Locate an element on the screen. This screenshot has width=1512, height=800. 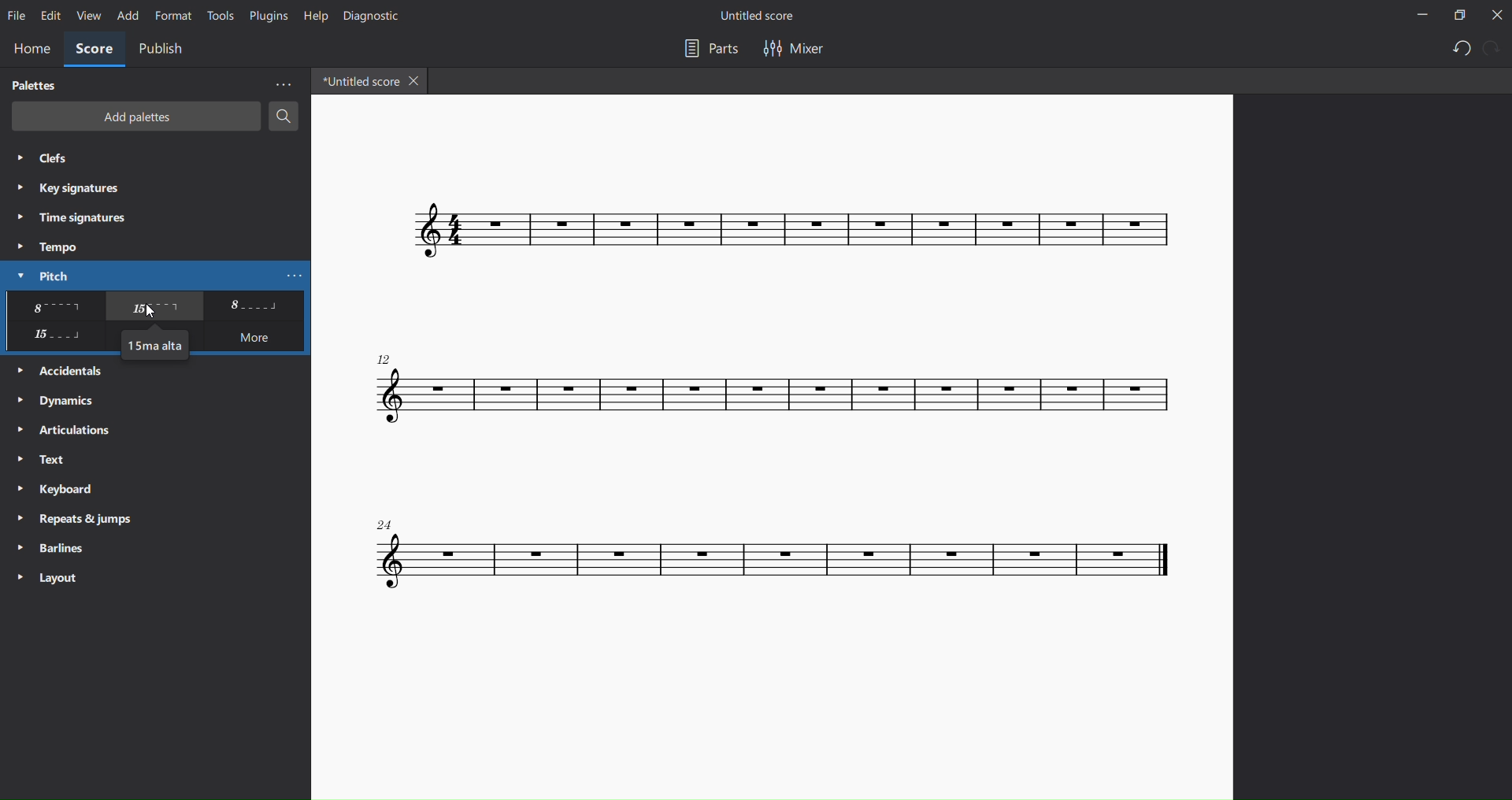
format is located at coordinates (172, 15).